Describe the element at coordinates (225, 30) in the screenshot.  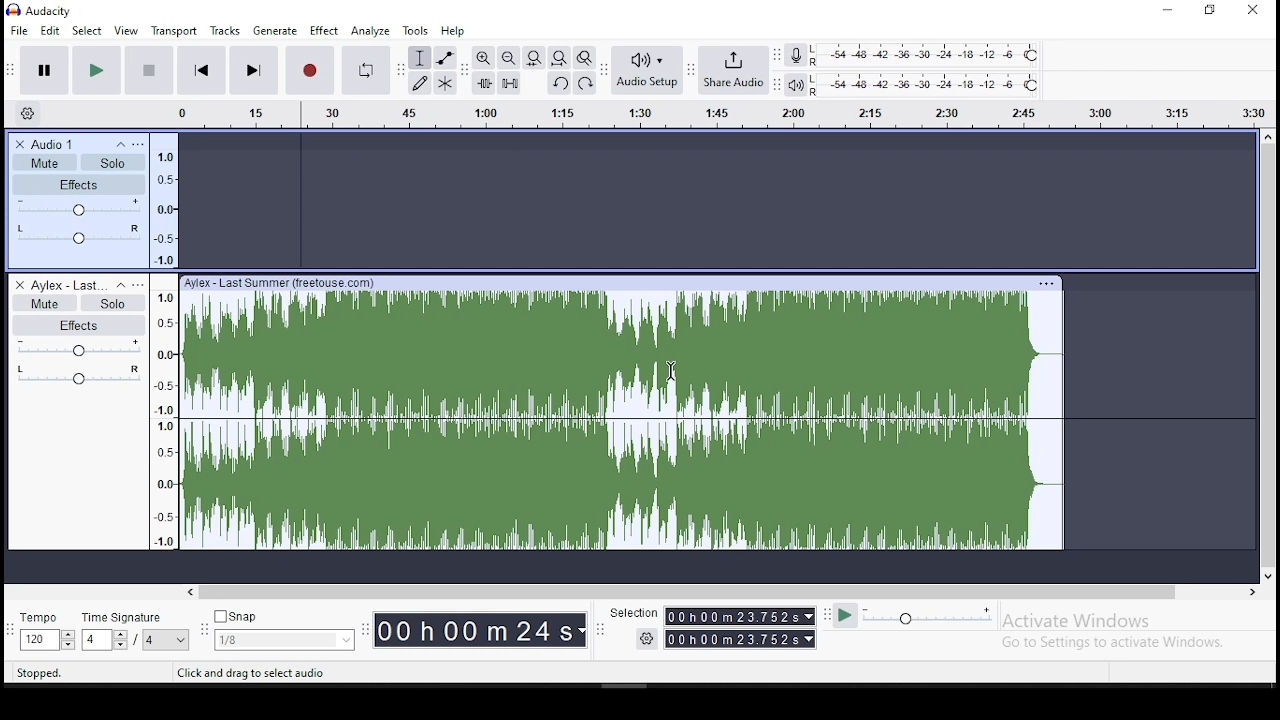
I see `tracks` at that location.